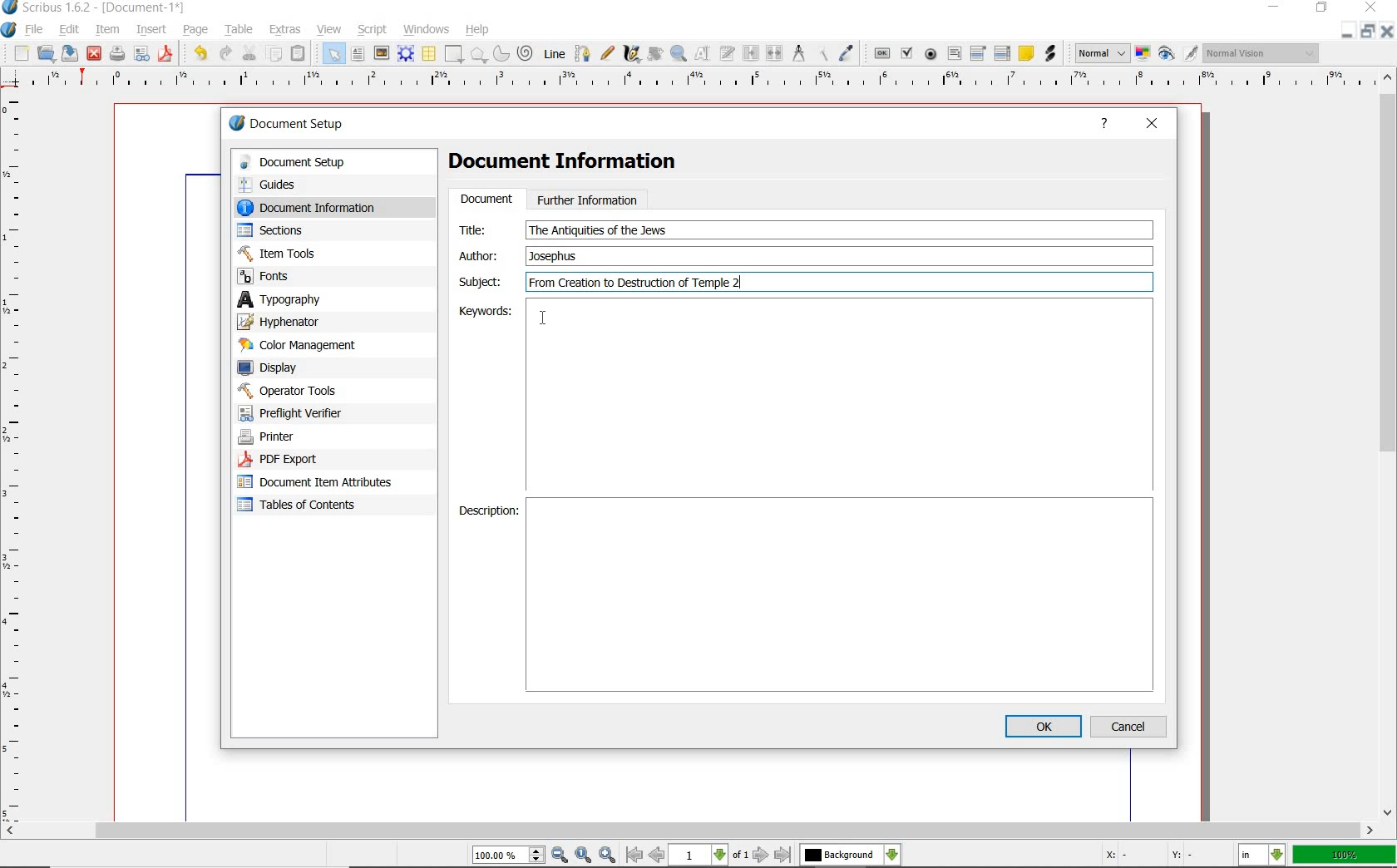 Image resolution: width=1397 pixels, height=868 pixels. I want to click on redo, so click(227, 54).